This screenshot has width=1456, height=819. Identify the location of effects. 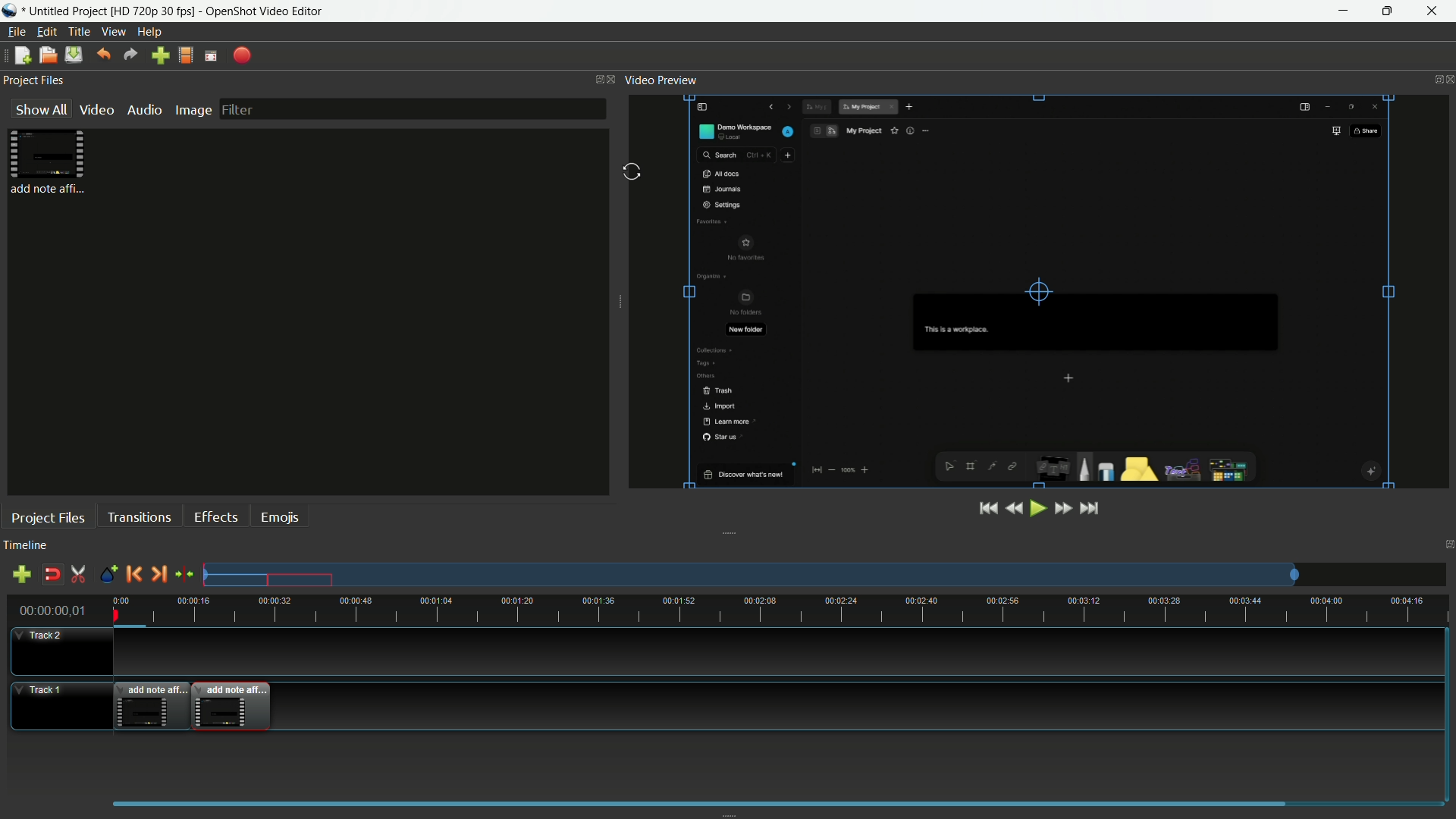
(215, 517).